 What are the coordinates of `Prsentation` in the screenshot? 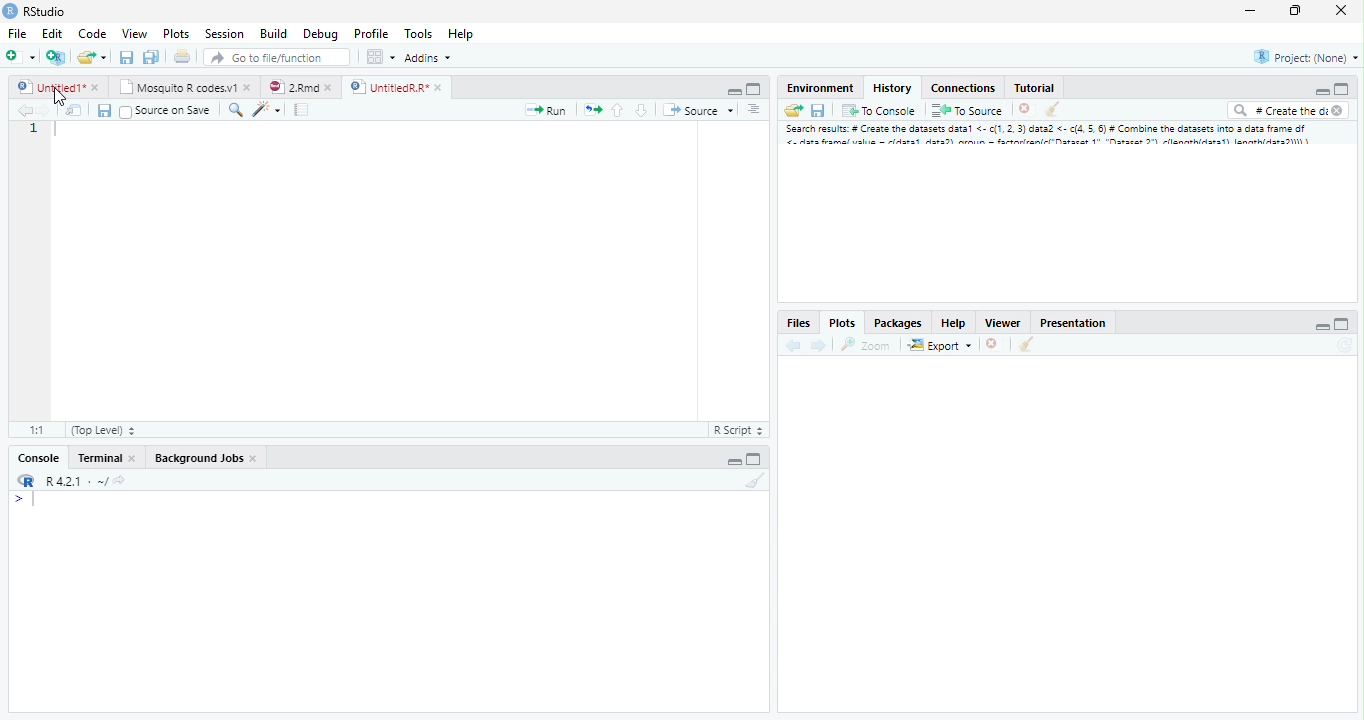 It's located at (1069, 321).